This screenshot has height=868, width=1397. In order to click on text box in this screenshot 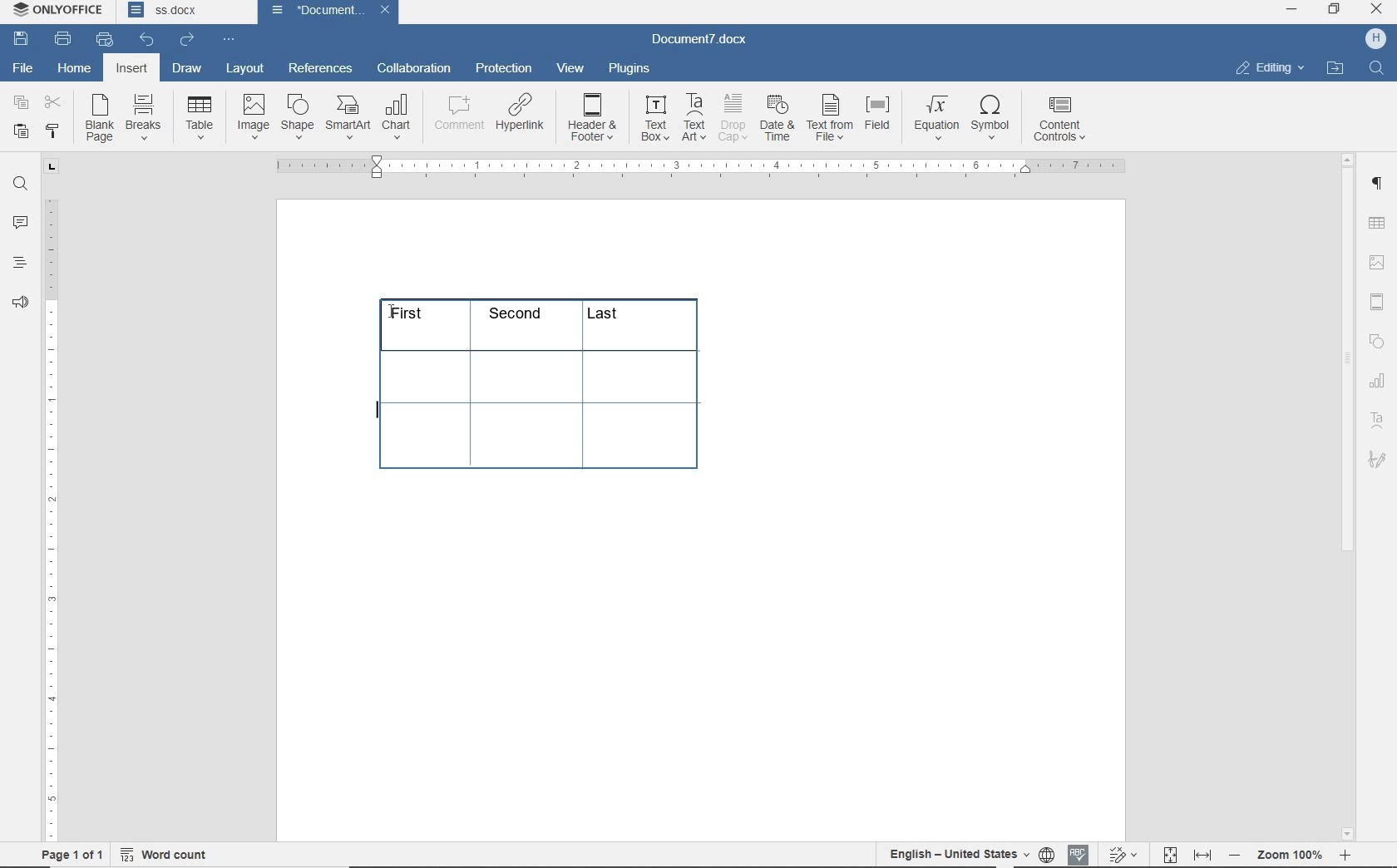, I will do `click(654, 118)`.